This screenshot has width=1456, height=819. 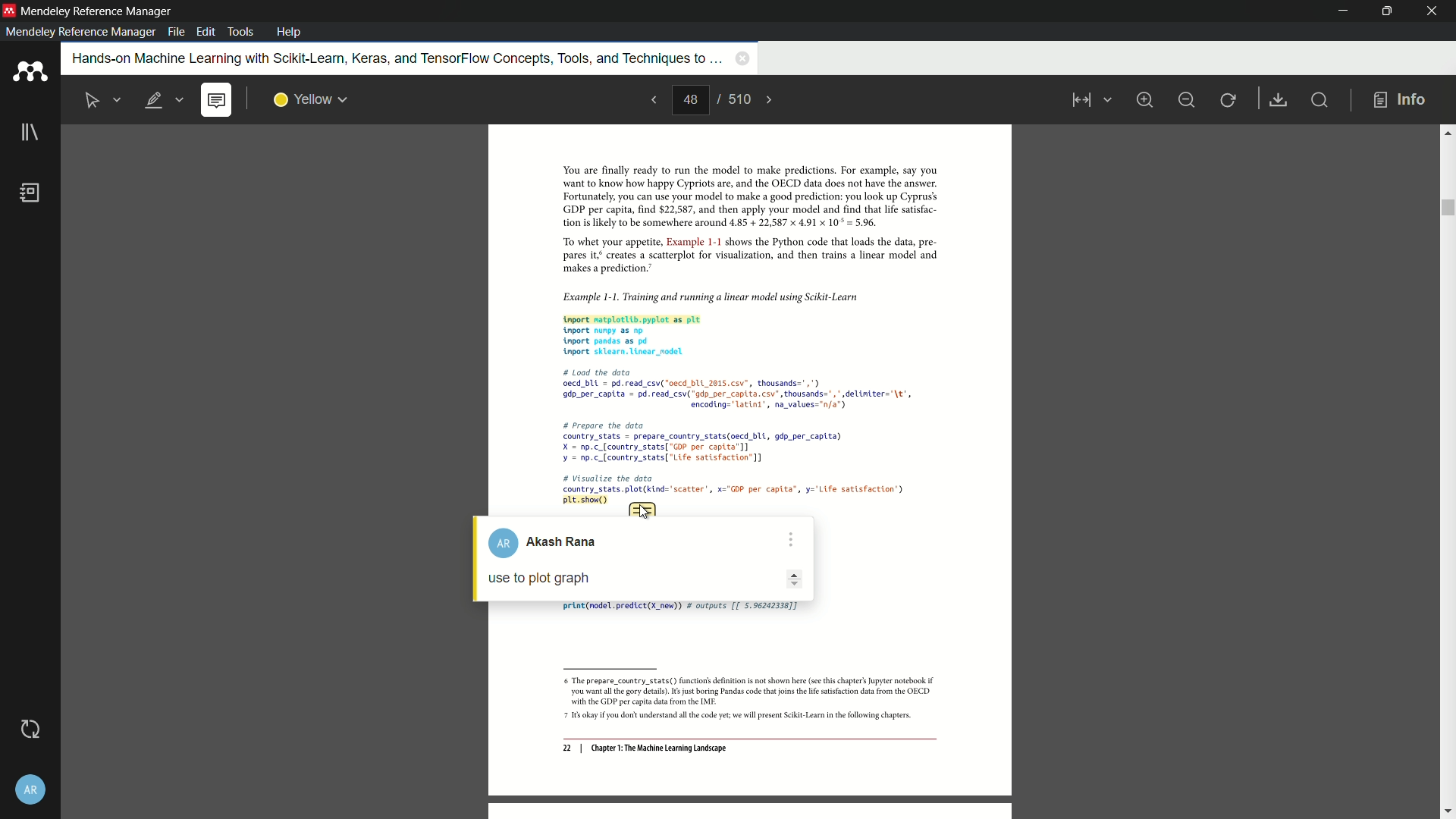 I want to click on book name, so click(x=394, y=59).